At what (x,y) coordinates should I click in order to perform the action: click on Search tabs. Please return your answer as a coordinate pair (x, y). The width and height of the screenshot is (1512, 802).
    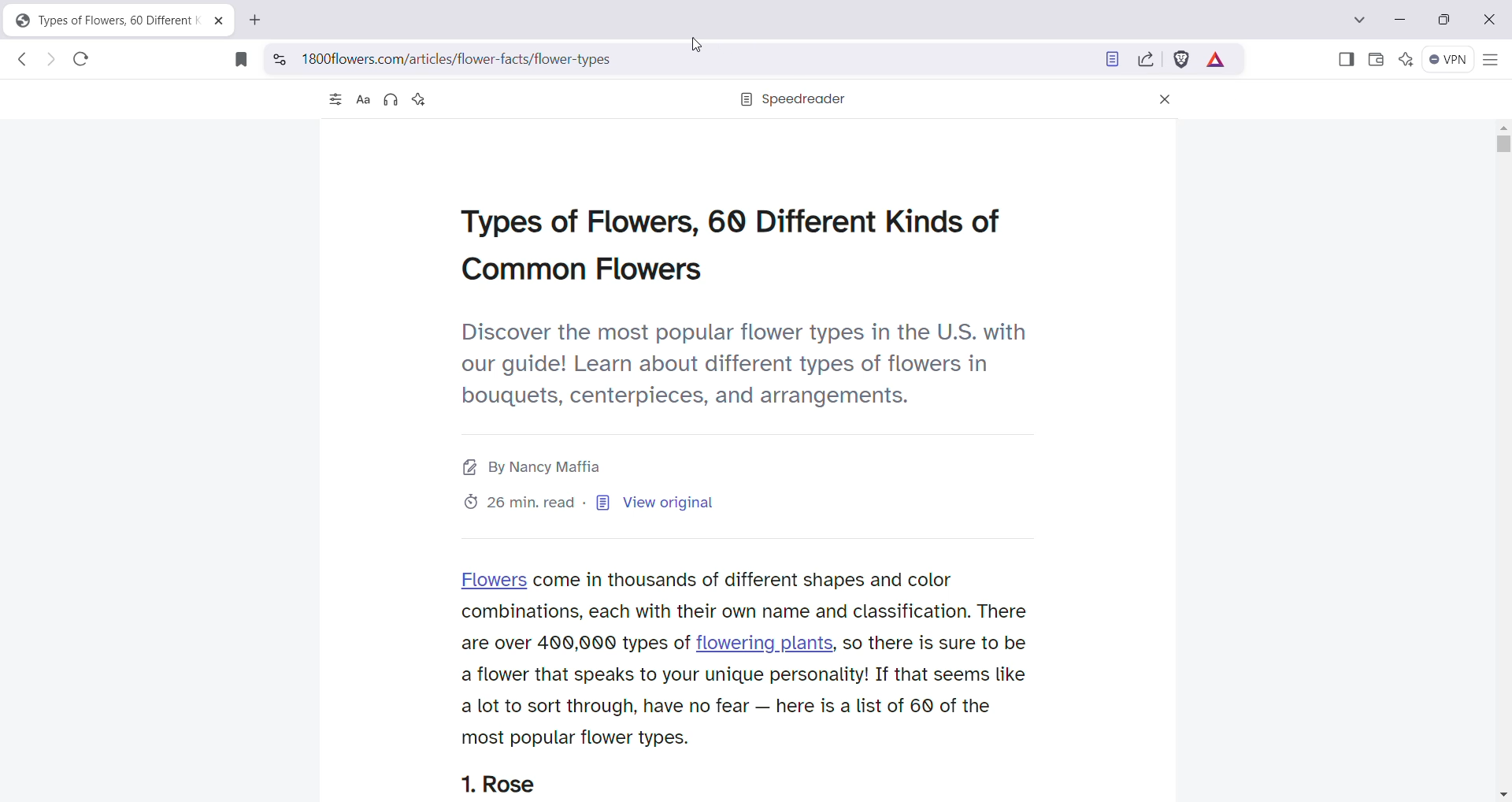
    Looking at the image, I should click on (1361, 20).